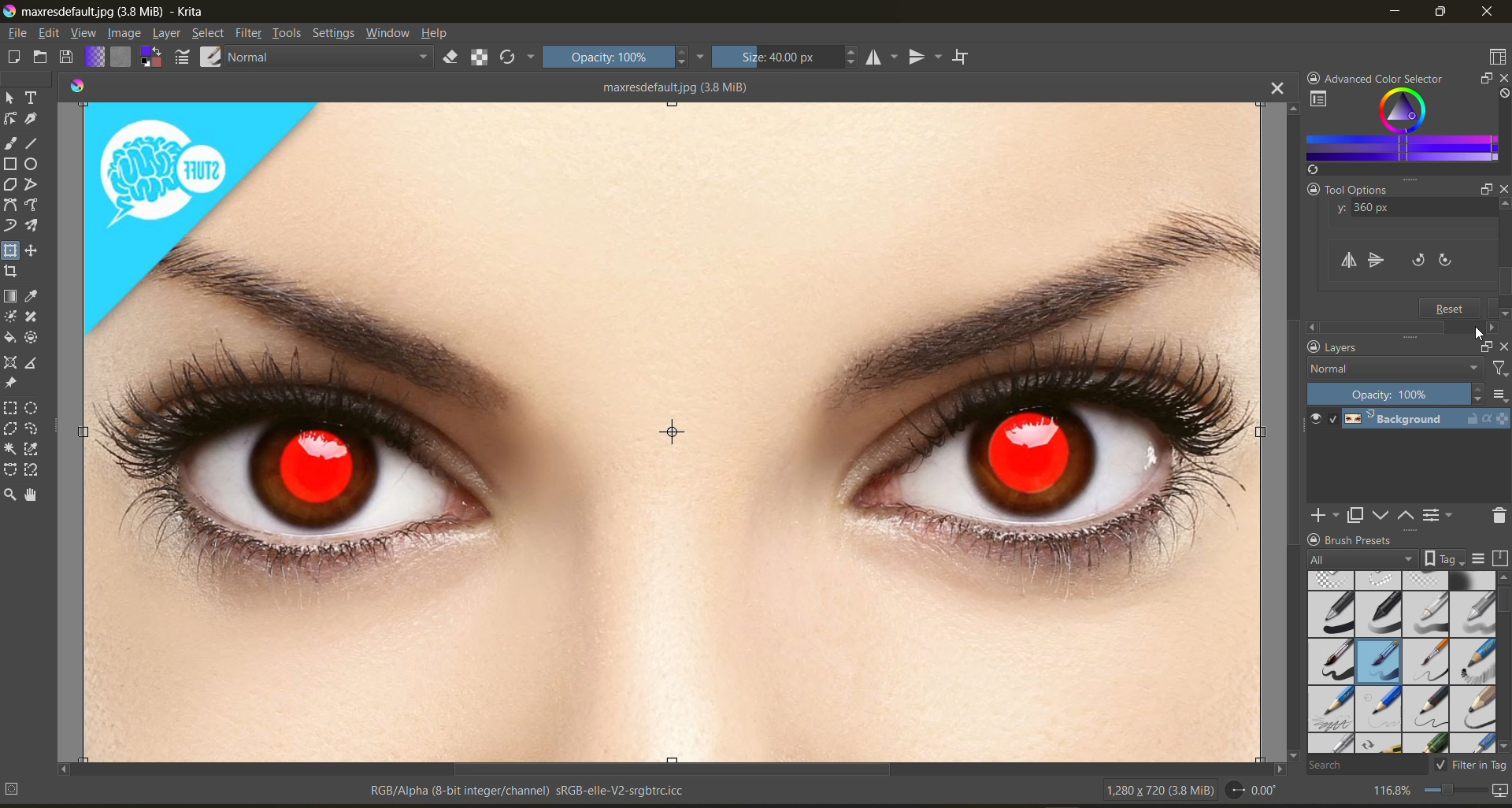 This screenshot has height=808, width=1512. Describe the element at coordinates (1401, 660) in the screenshot. I see `brush presets` at that location.